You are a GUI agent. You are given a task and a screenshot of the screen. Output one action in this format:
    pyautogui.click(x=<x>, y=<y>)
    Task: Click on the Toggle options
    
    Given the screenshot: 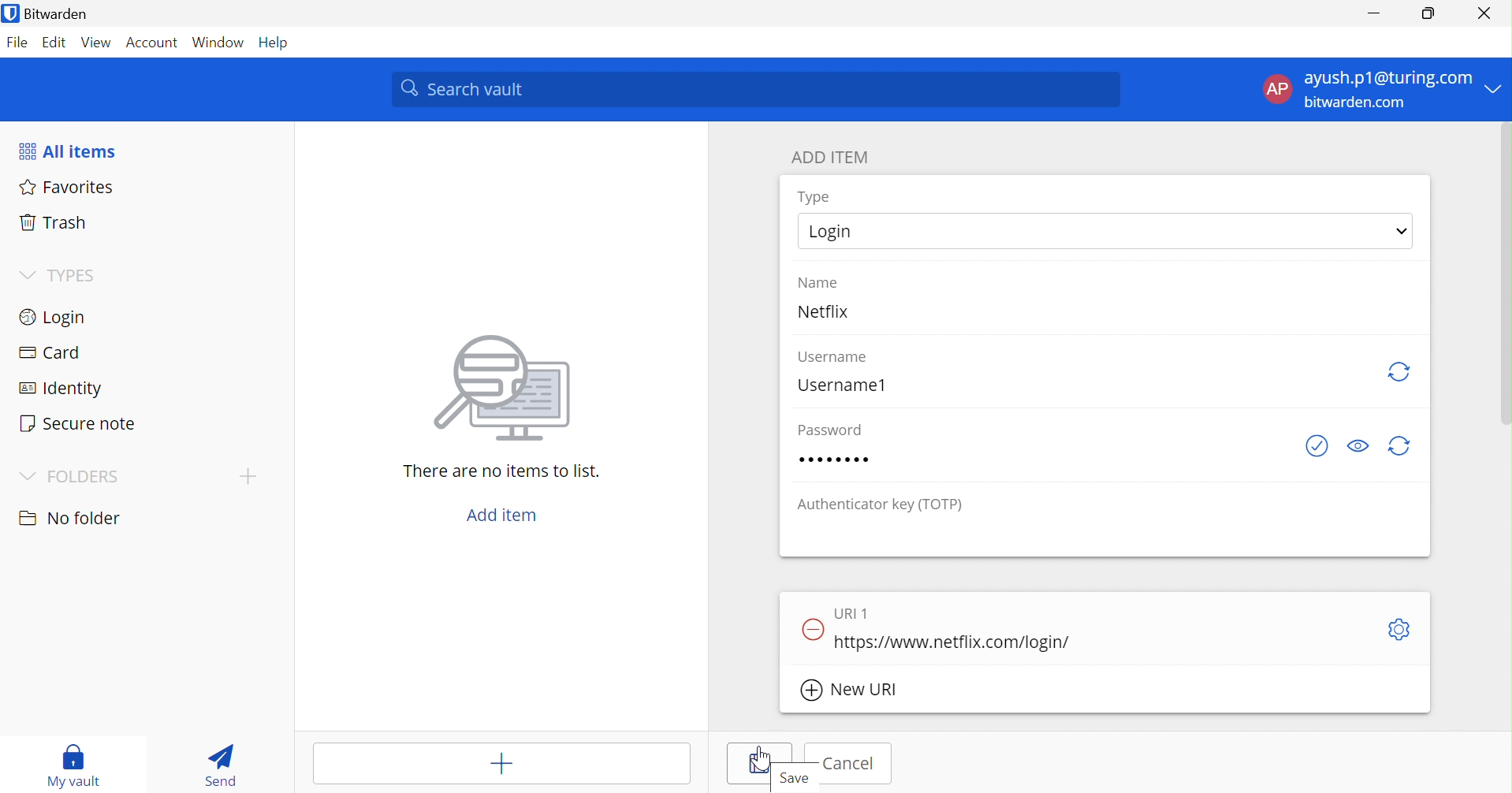 What is the action you would take?
    pyautogui.click(x=1401, y=629)
    